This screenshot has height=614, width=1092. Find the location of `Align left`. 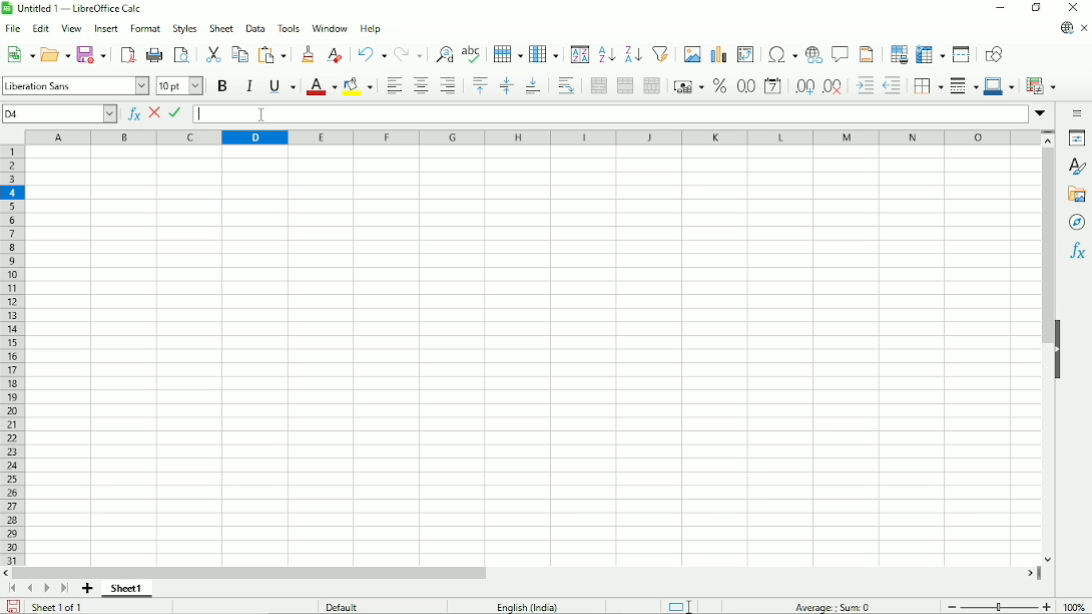

Align left is located at coordinates (393, 86).